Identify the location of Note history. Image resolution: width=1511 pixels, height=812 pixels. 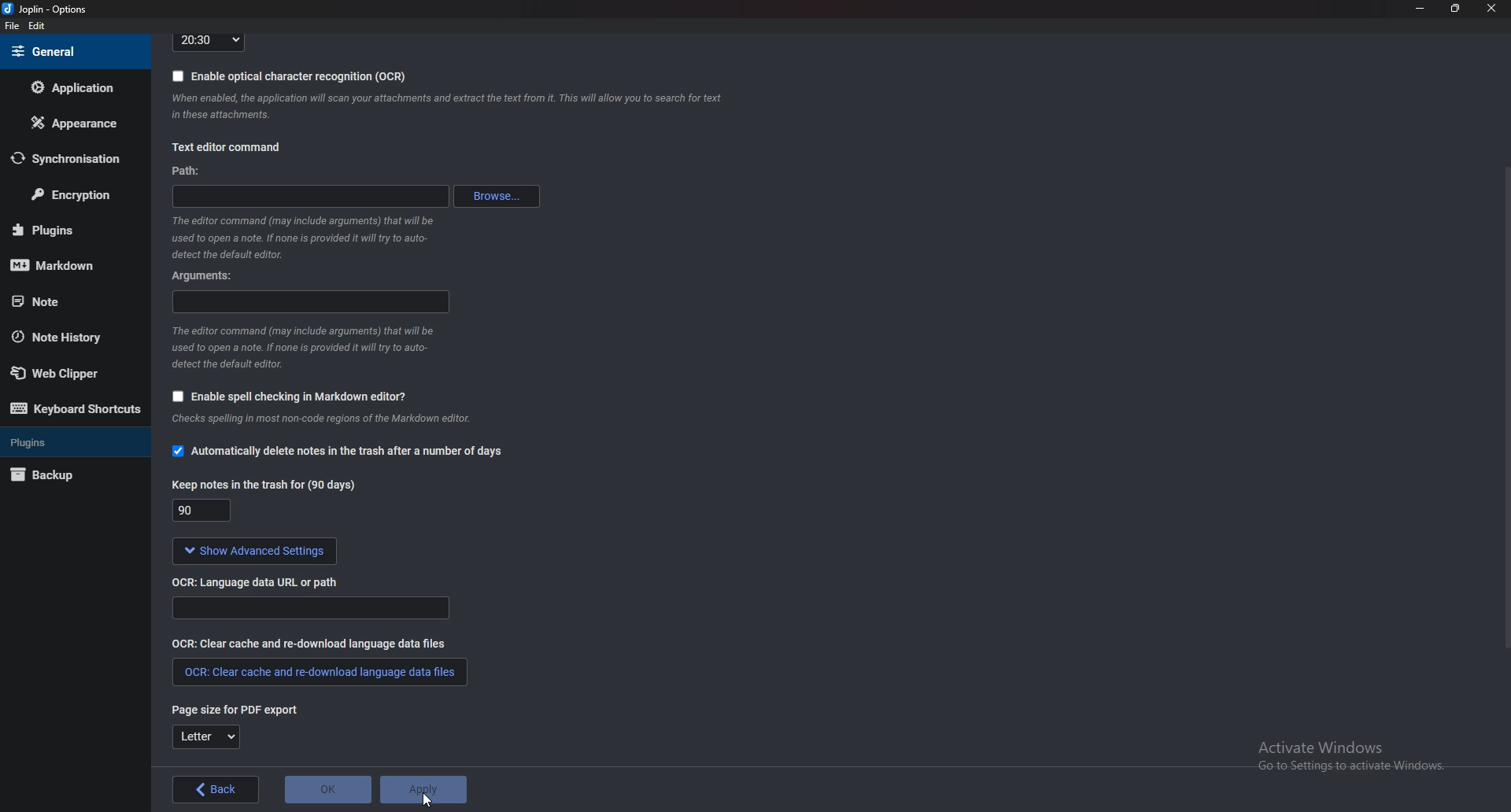
(65, 338).